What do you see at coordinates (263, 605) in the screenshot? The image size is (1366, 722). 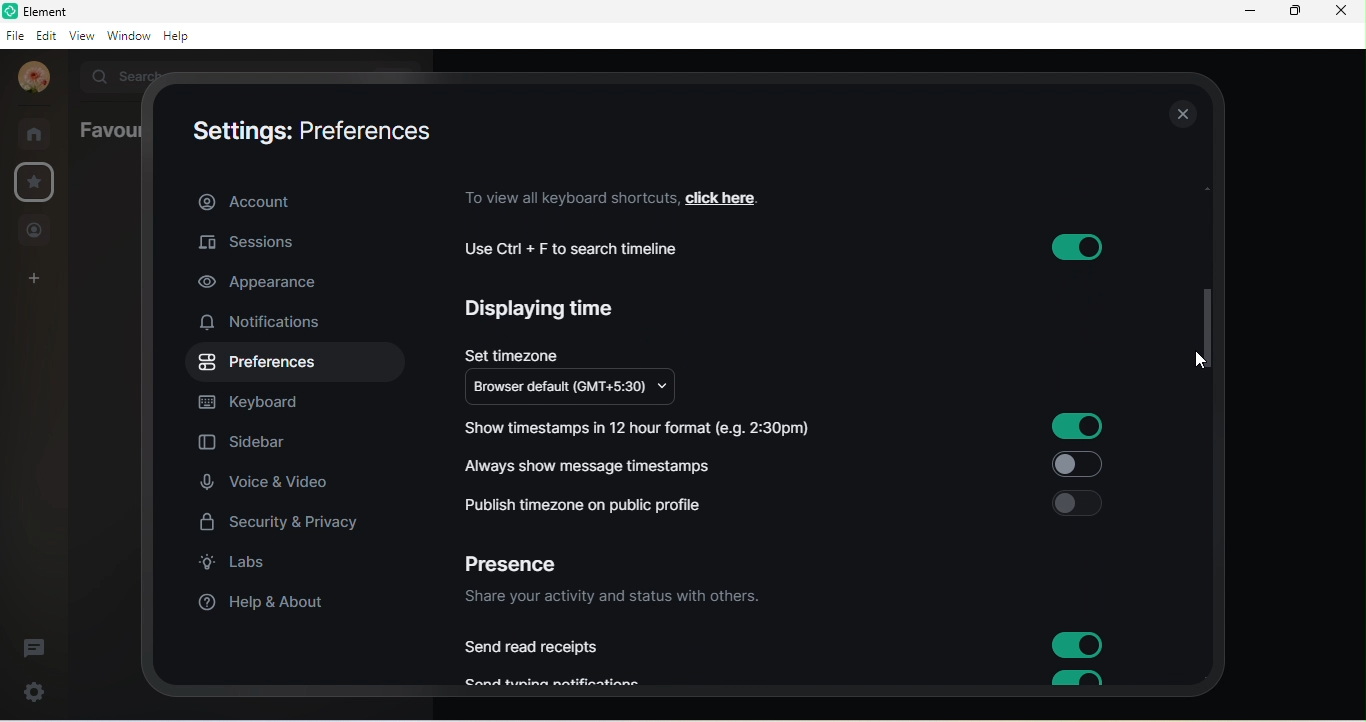 I see `help and about` at bounding box center [263, 605].